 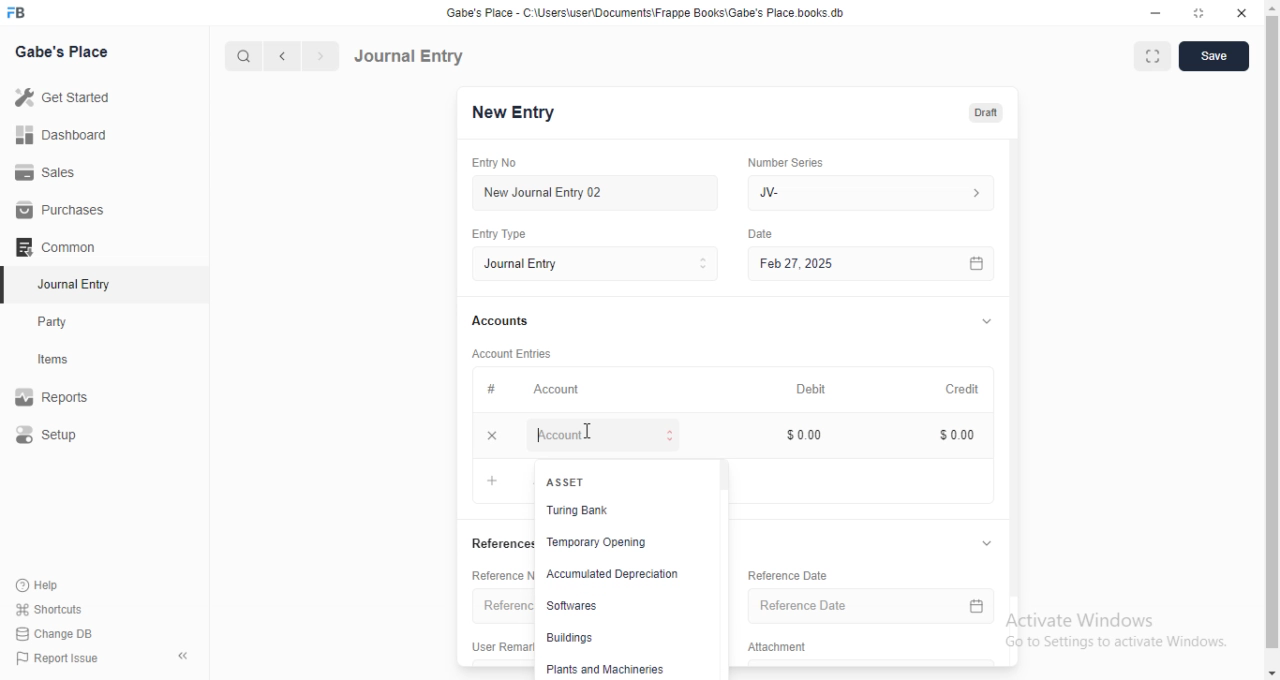 I want to click on Reports, so click(x=53, y=394).